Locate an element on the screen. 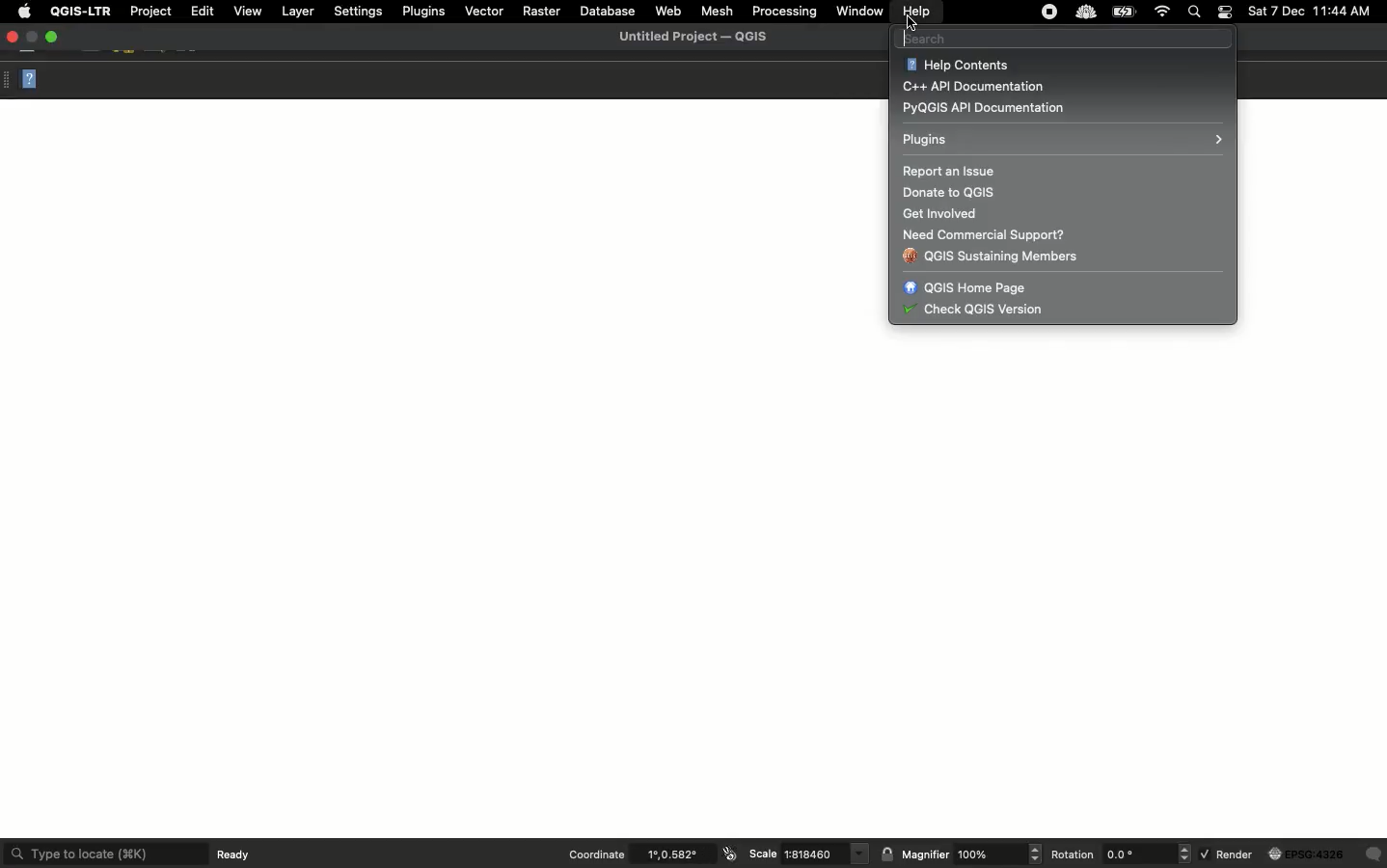 This screenshot has width=1387, height=868. Donate to QGIS is located at coordinates (952, 191).